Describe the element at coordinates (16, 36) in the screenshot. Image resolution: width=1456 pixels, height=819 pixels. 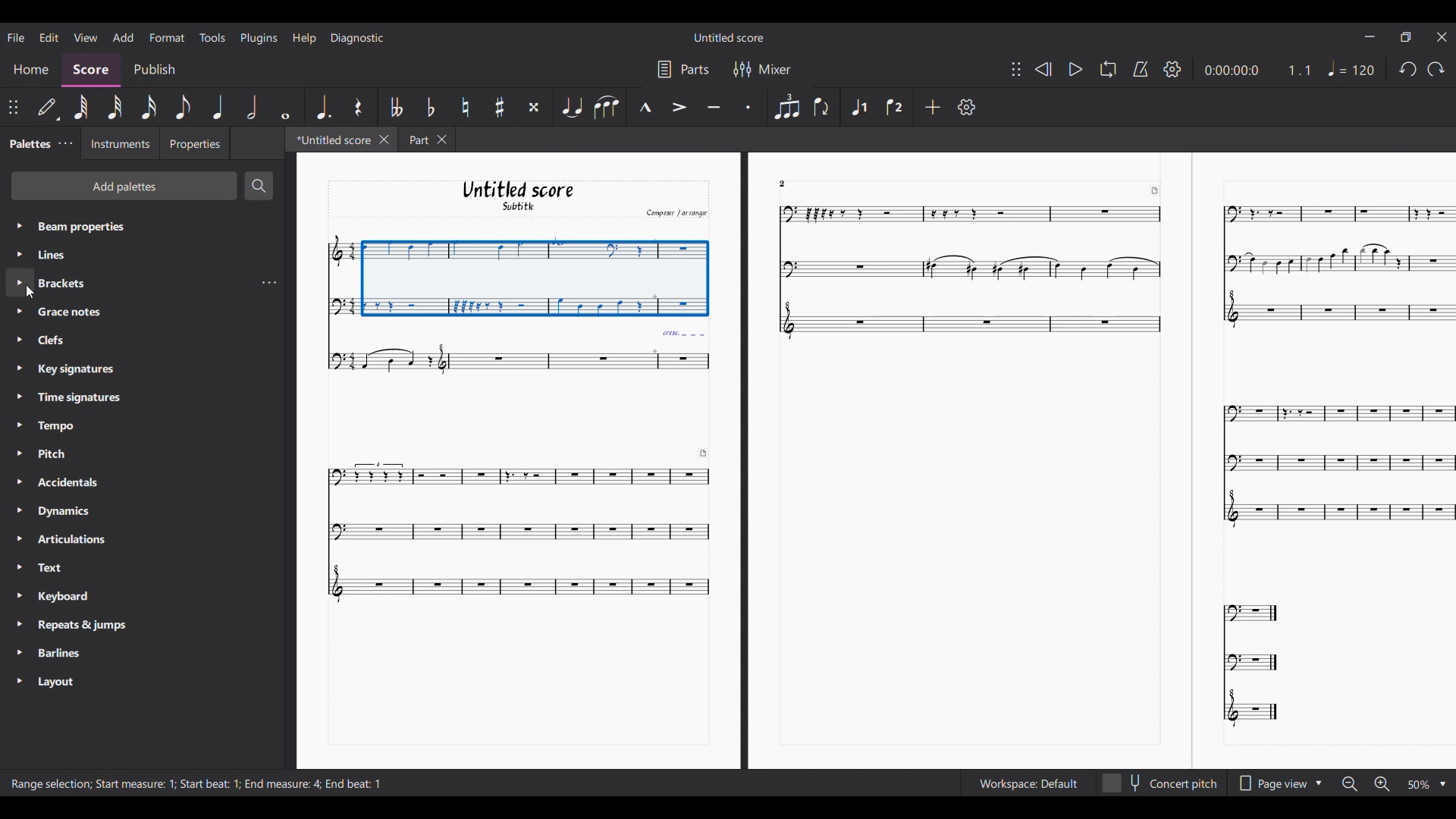
I see `File` at that location.